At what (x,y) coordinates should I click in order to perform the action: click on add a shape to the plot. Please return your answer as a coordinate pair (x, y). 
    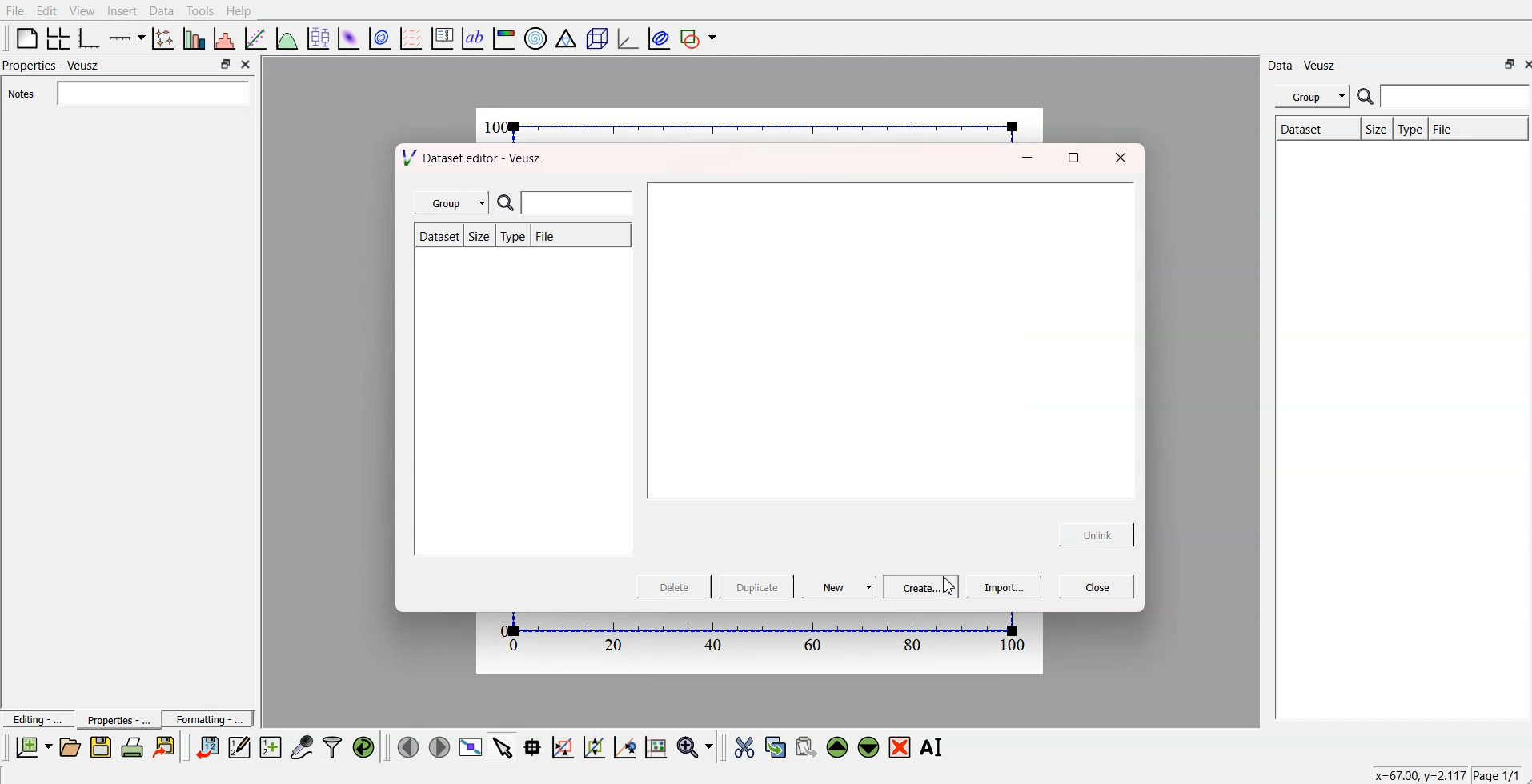
    Looking at the image, I should click on (700, 38).